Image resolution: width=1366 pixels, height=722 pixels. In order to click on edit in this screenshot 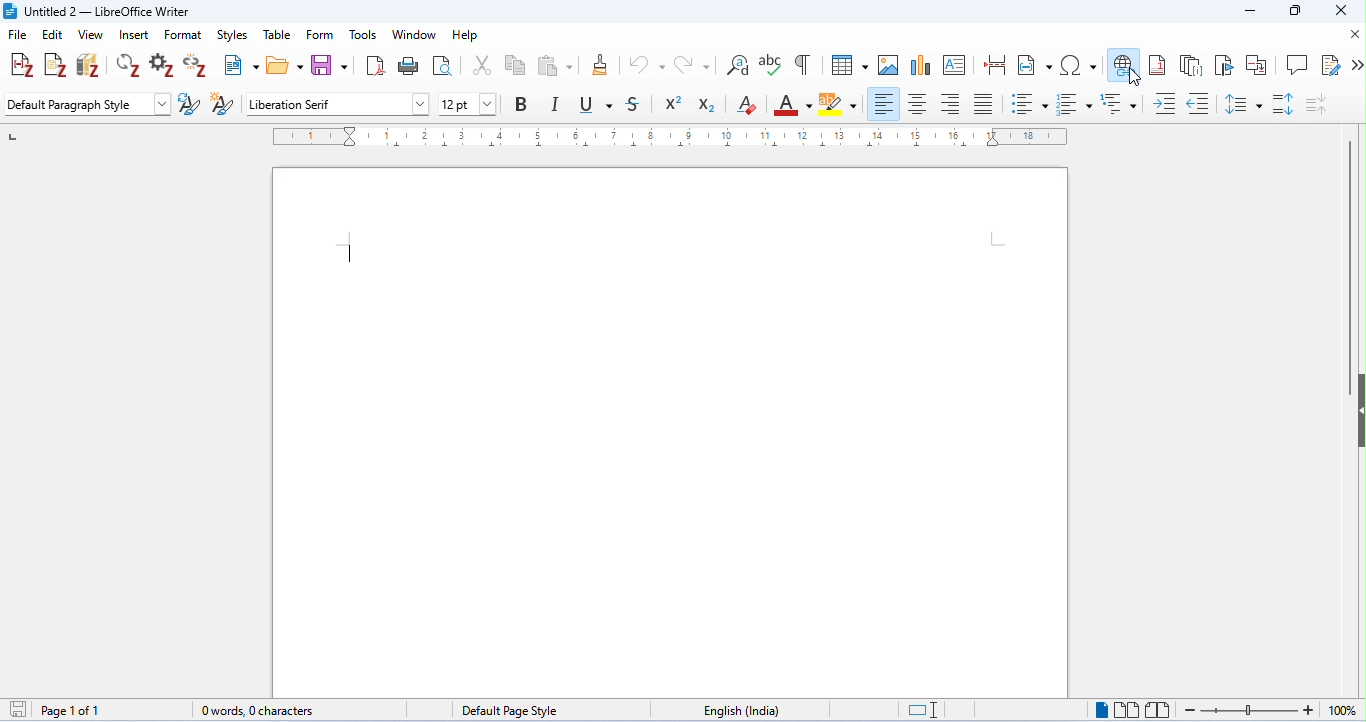, I will do `click(55, 34)`.